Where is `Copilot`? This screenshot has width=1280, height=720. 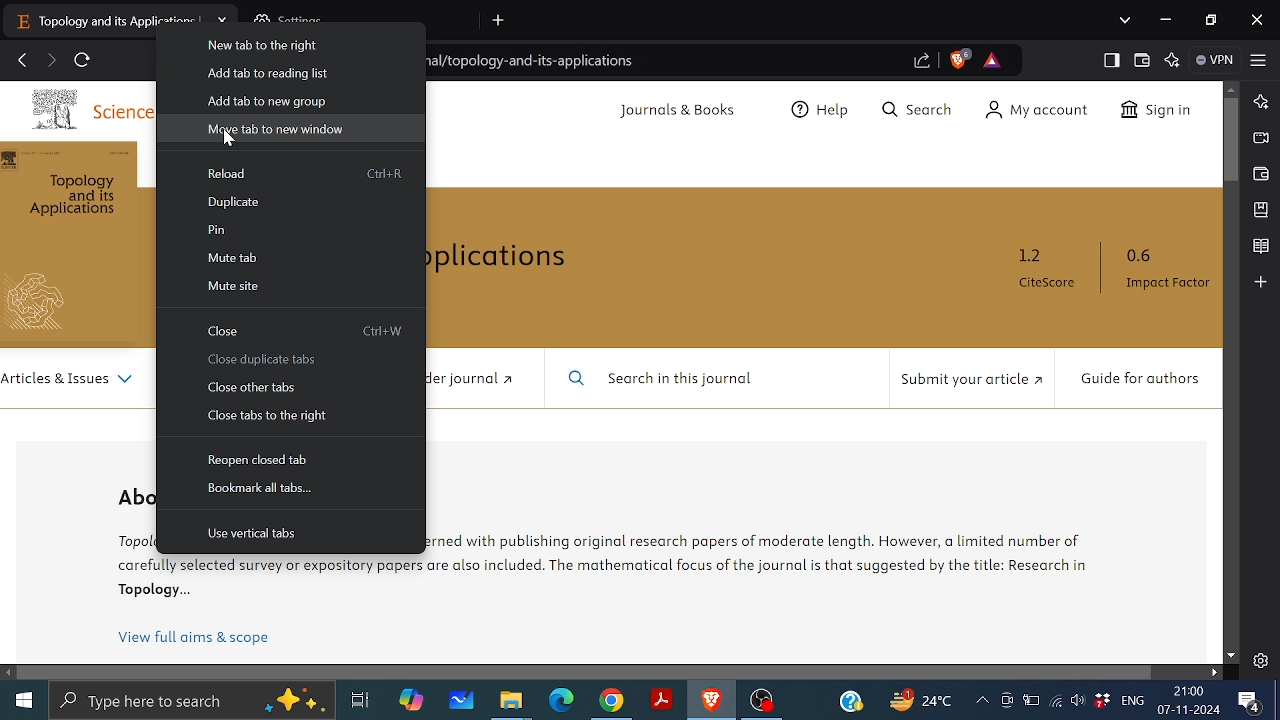
Copilot is located at coordinates (411, 703).